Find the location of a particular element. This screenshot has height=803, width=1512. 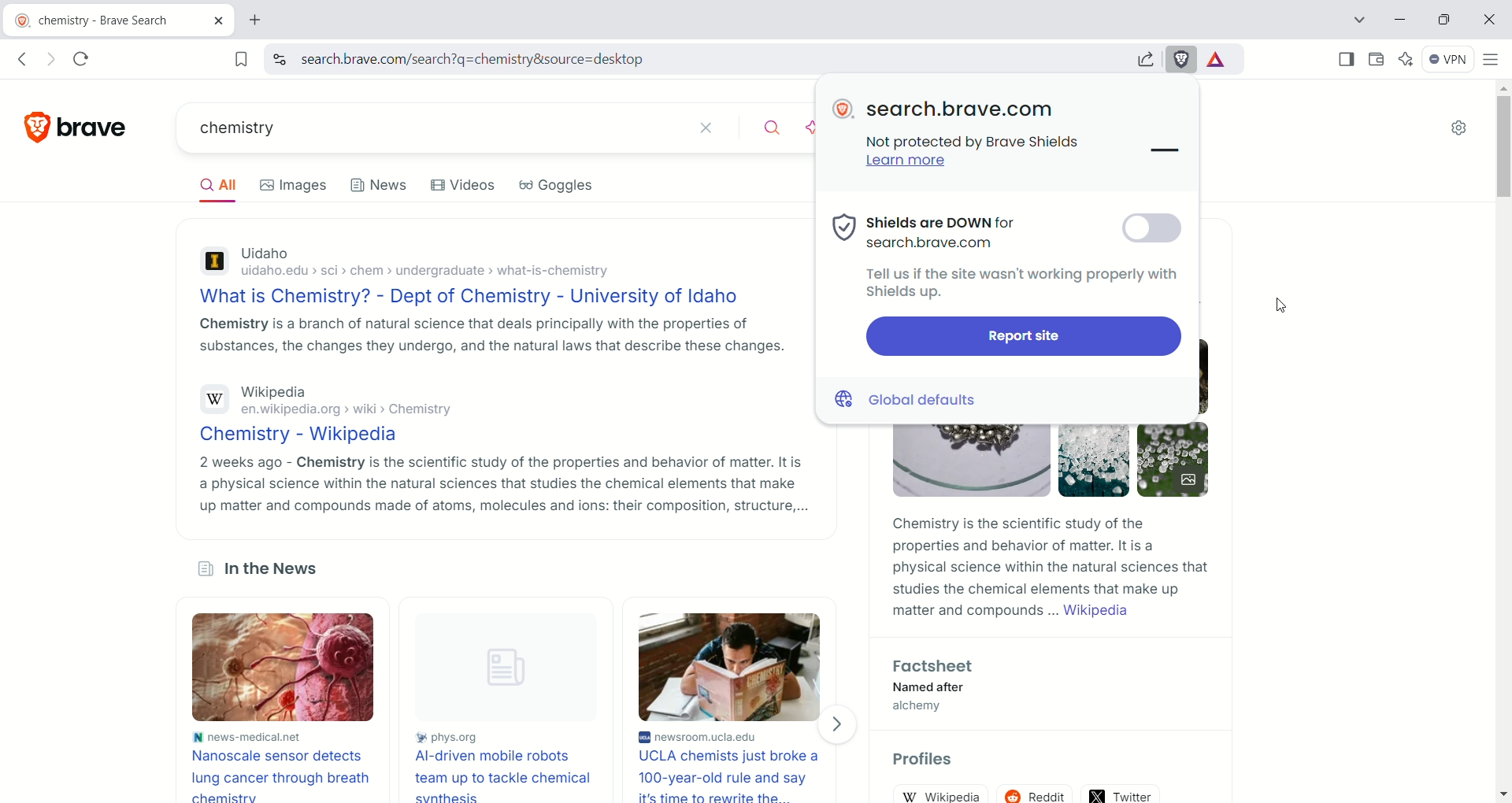

reload is located at coordinates (87, 58).